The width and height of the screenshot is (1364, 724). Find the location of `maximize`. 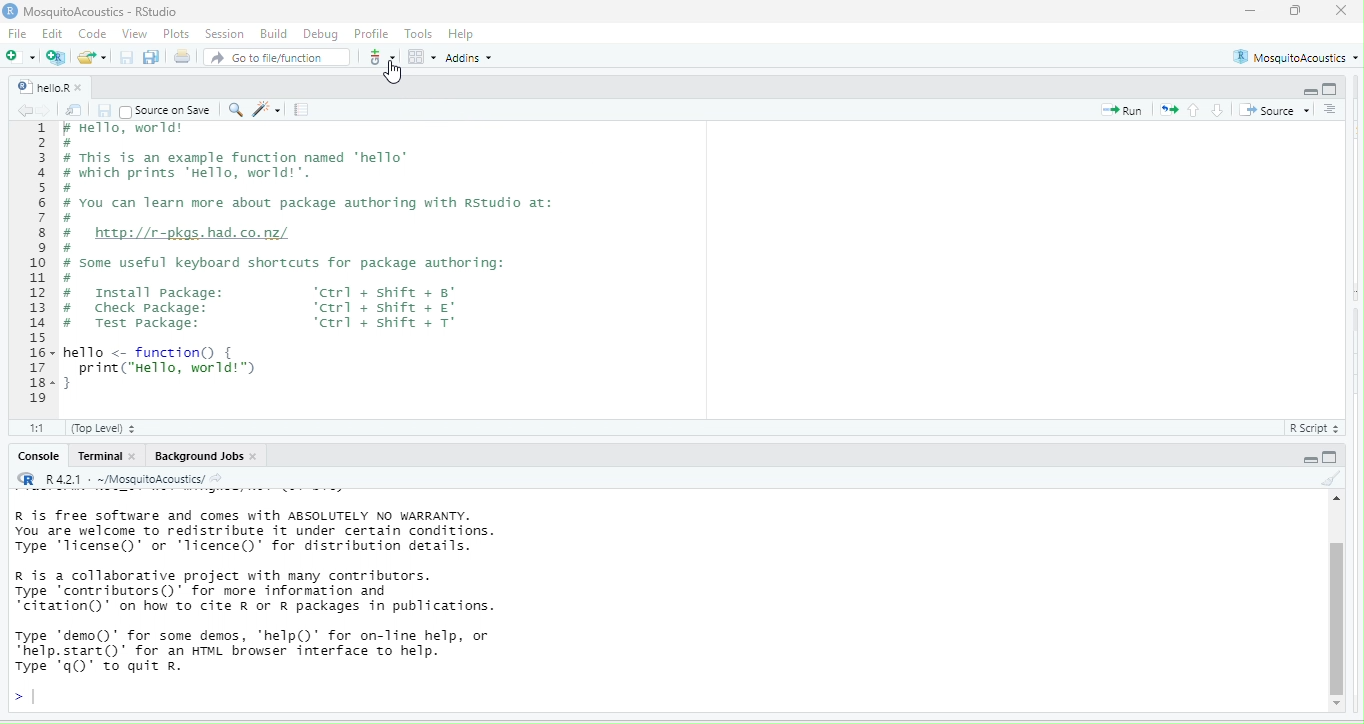

maximize is located at coordinates (1298, 11).